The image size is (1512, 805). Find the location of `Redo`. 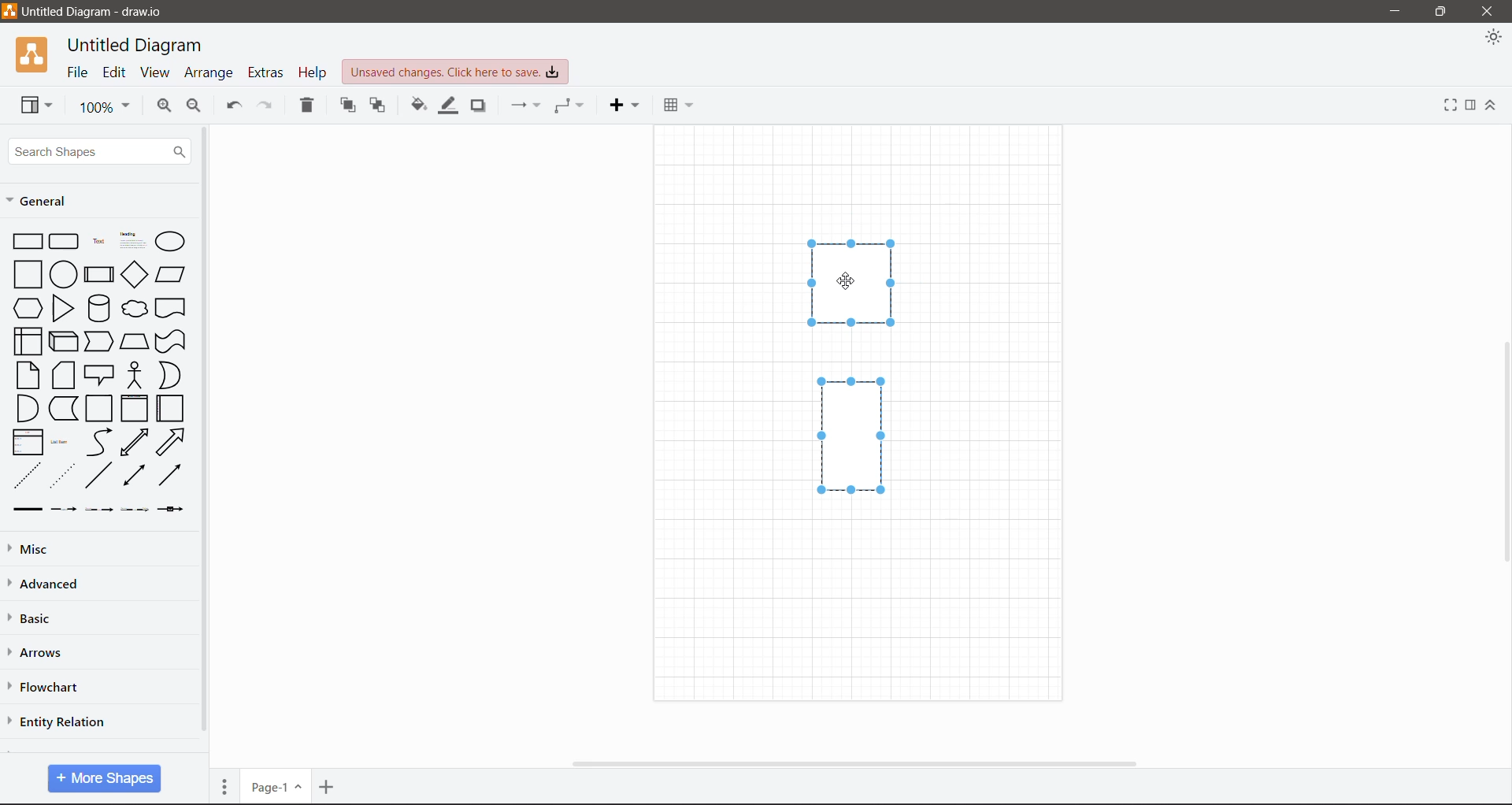

Redo is located at coordinates (269, 106).